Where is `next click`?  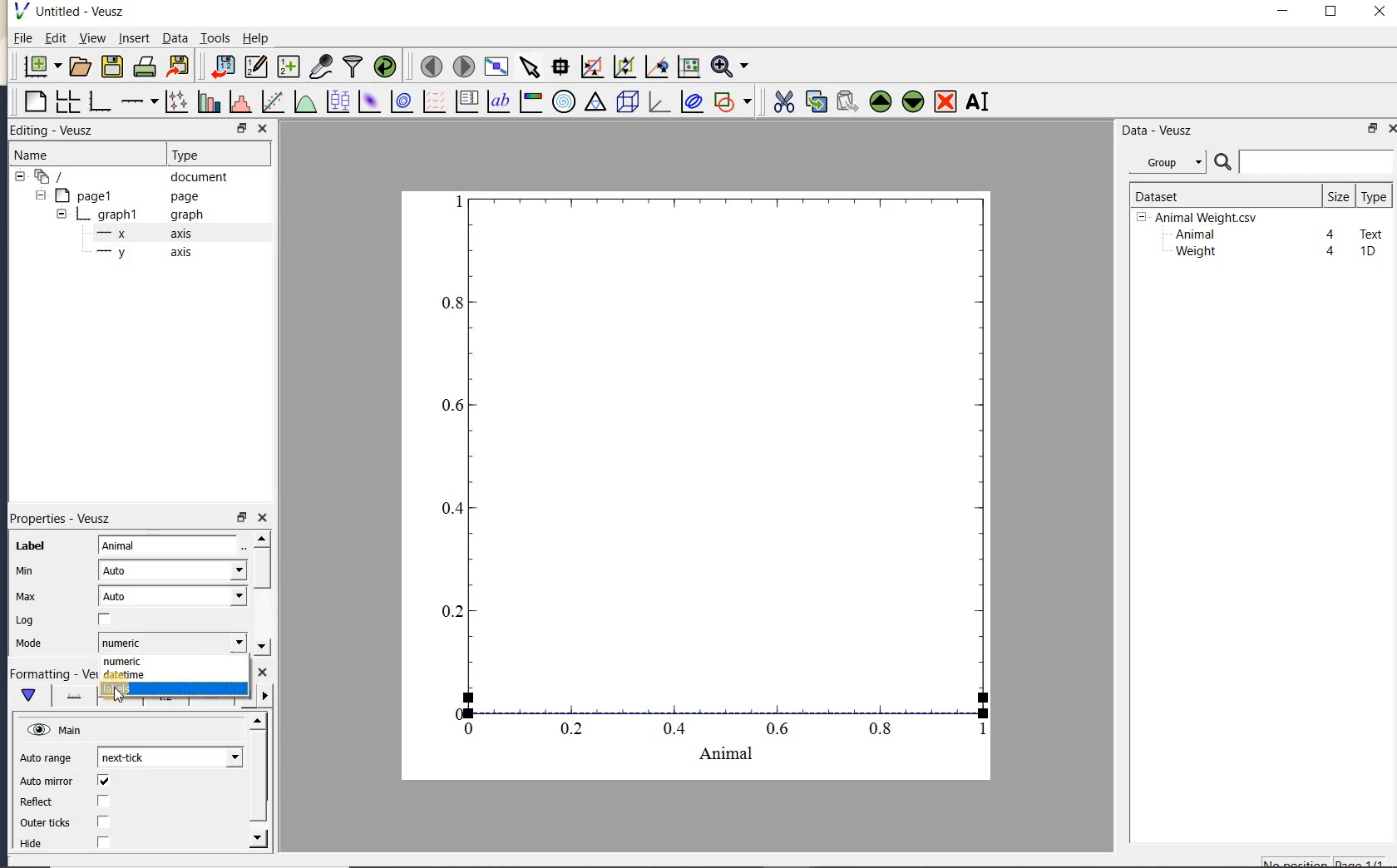 next click is located at coordinates (170, 757).